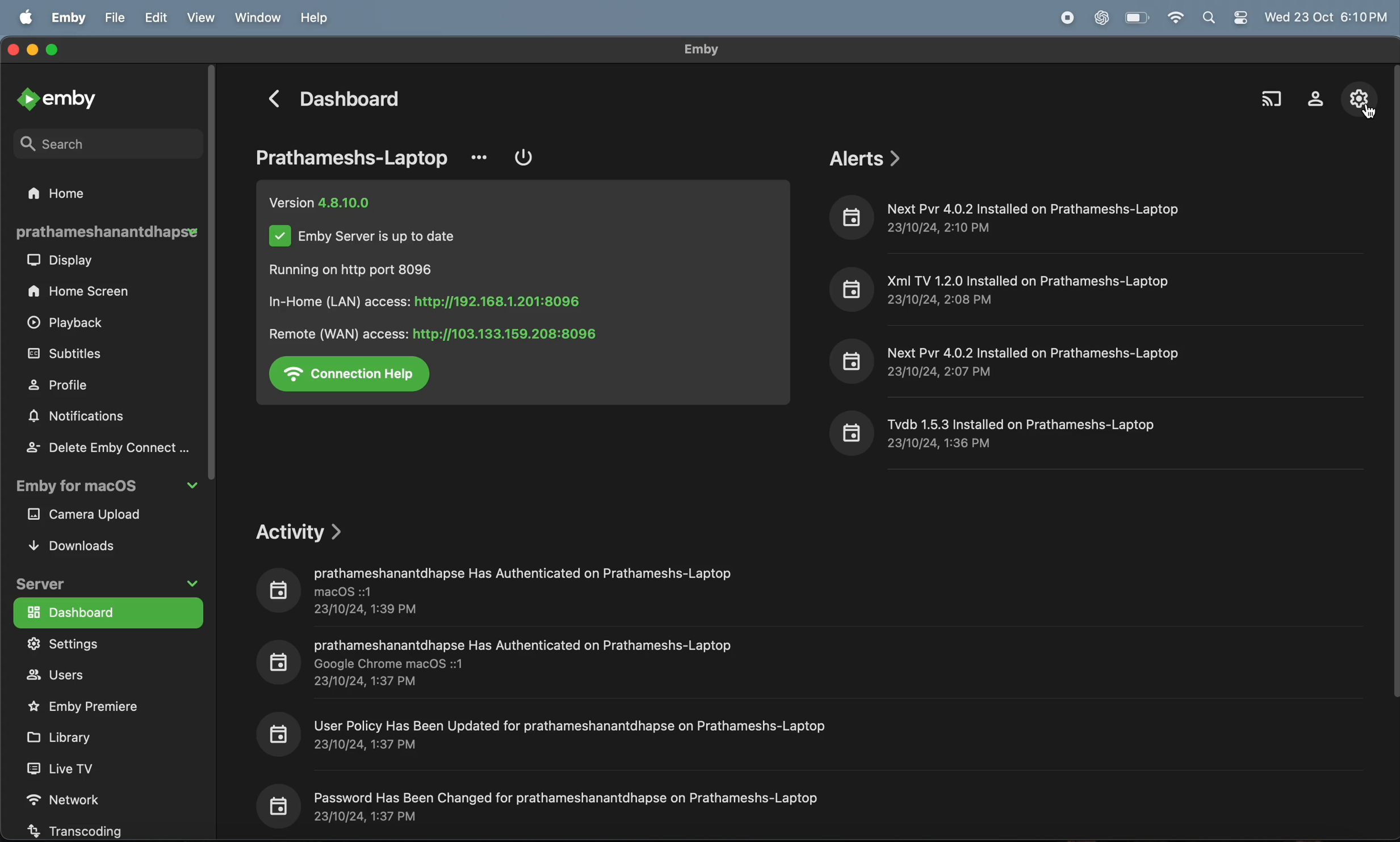 The width and height of the screenshot is (1400, 842). Describe the element at coordinates (103, 485) in the screenshot. I see `emby for macos` at that location.